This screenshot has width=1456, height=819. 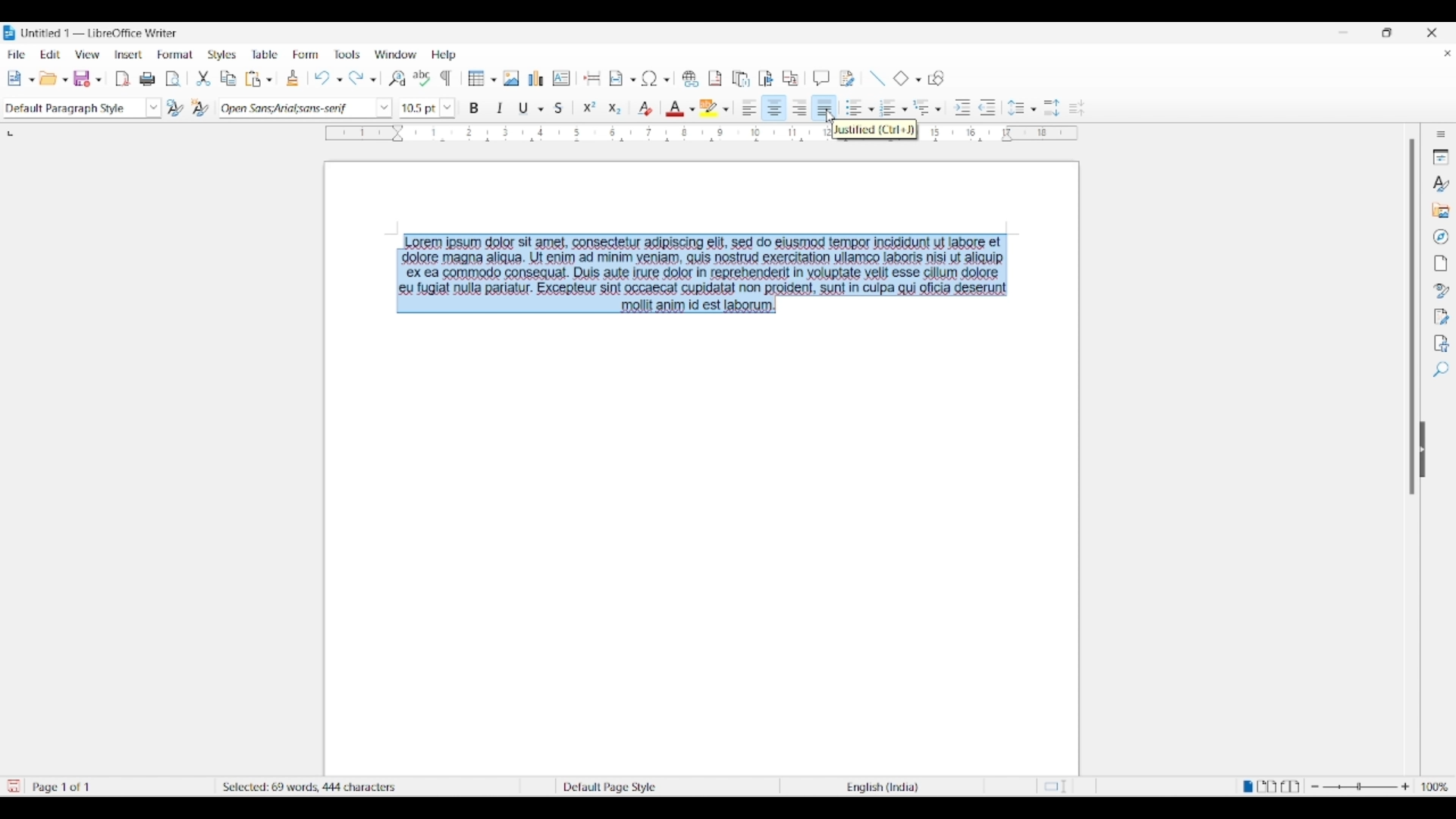 What do you see at coordinates (988, 108) in the screenshot?
I see `Decrease indent` at bounding box center [988, 108].